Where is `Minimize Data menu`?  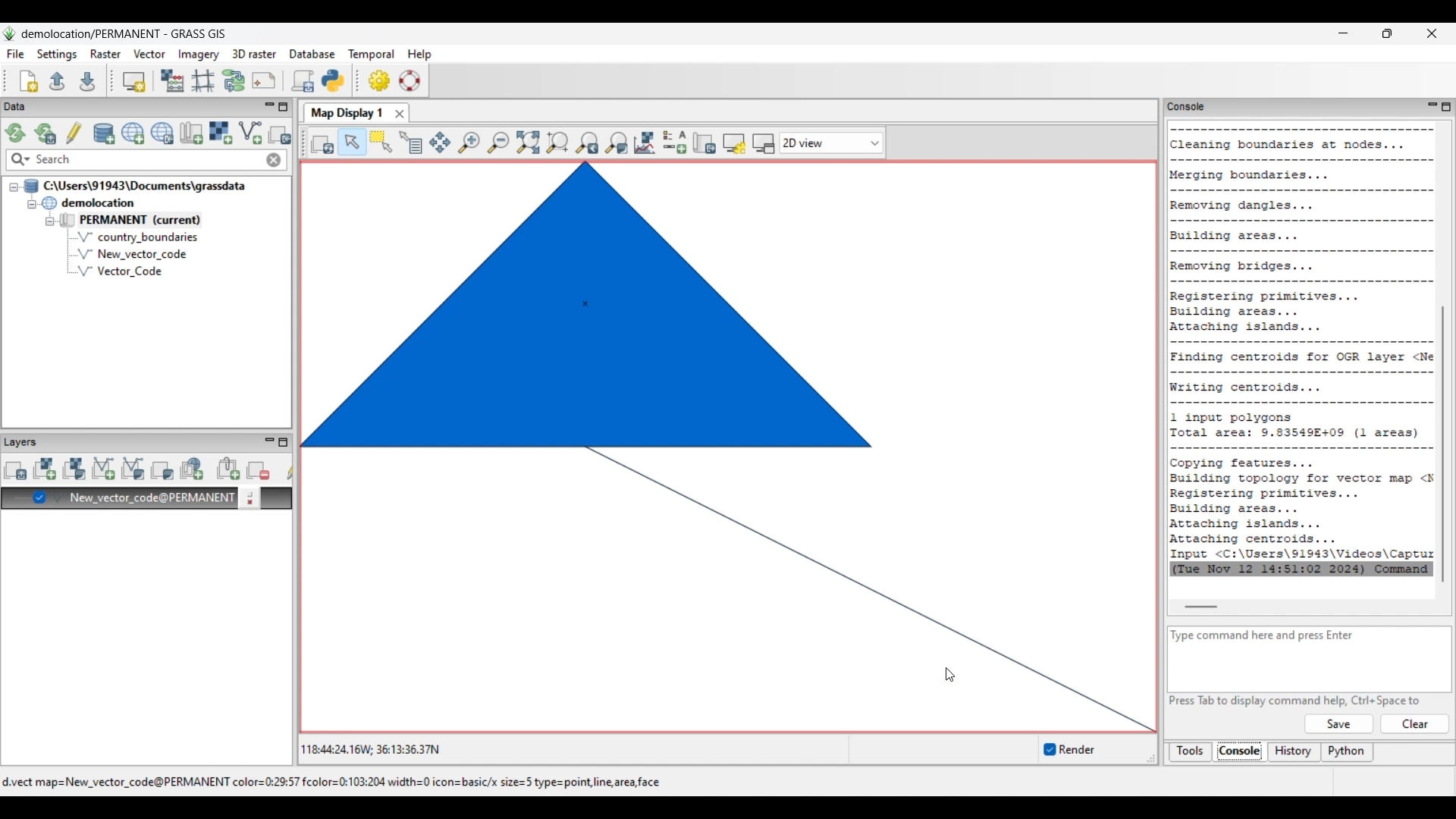 Minimize Data menu is located at coordinates (269, 108).